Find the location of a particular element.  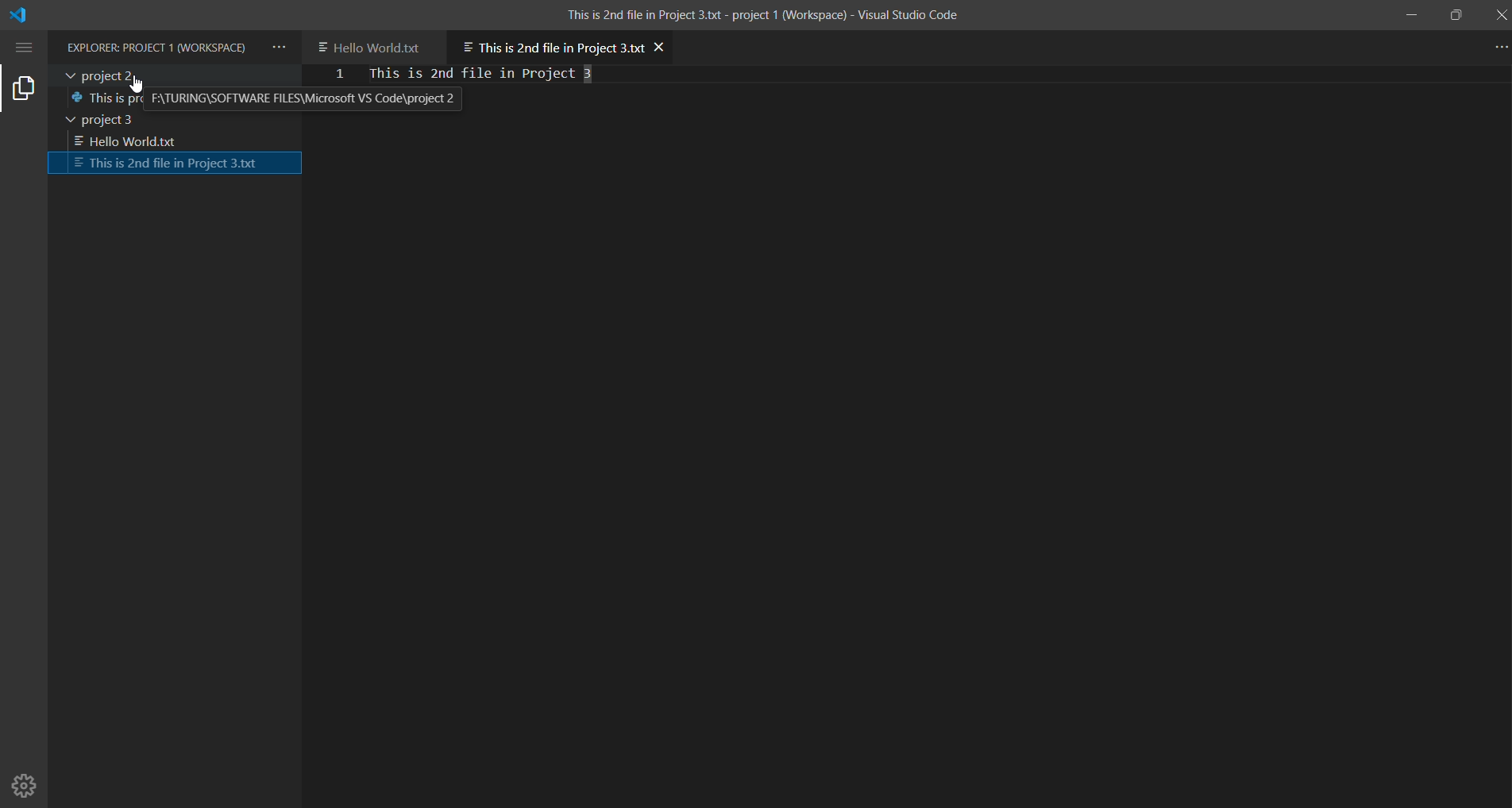

close is located at coordinates (1499, 14).